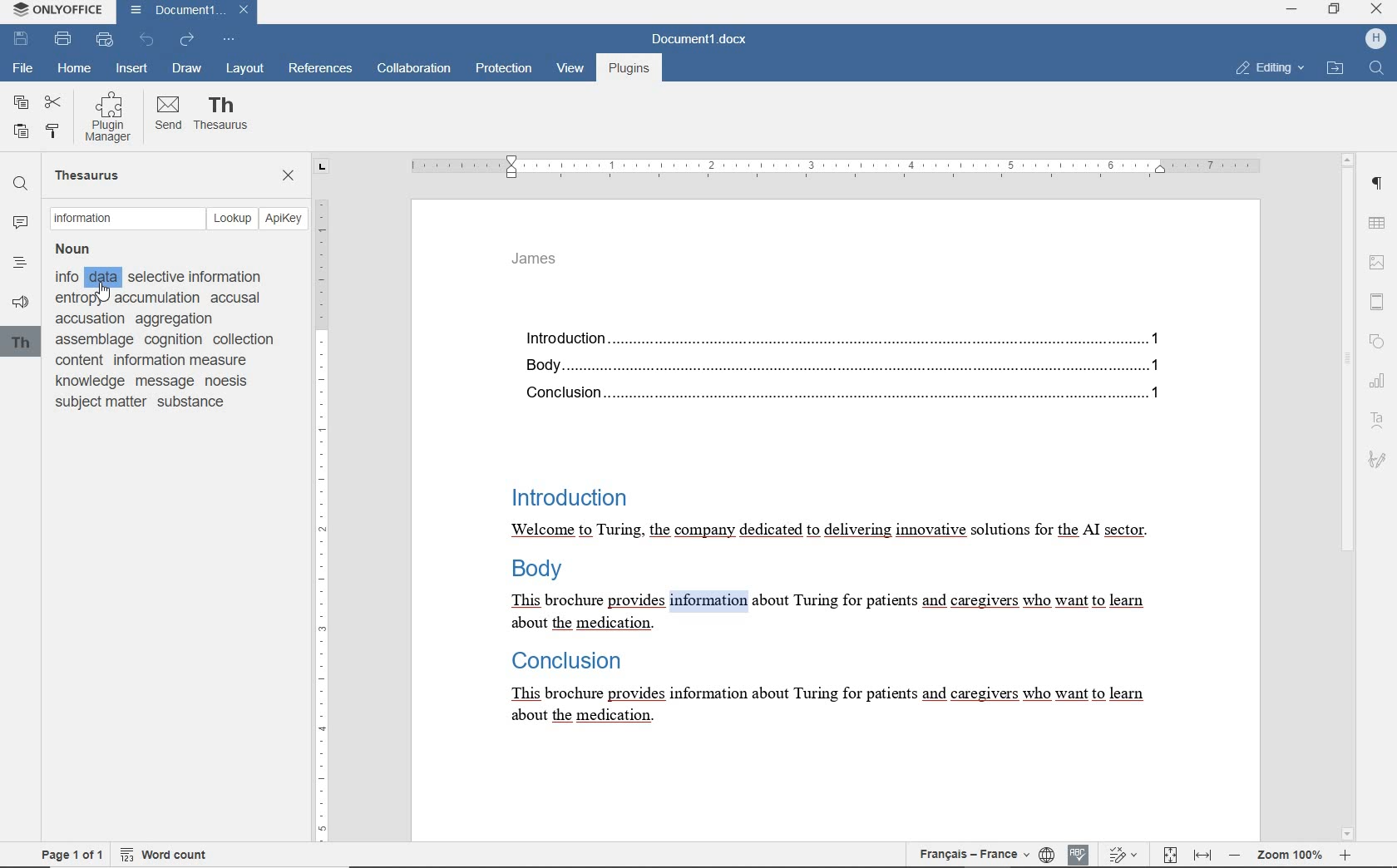 This screenshot has width=1397, height=868. Describe the element at coordinates (111, 116) in the screenshot. I see `PLUGIN MANAGER` at that location.